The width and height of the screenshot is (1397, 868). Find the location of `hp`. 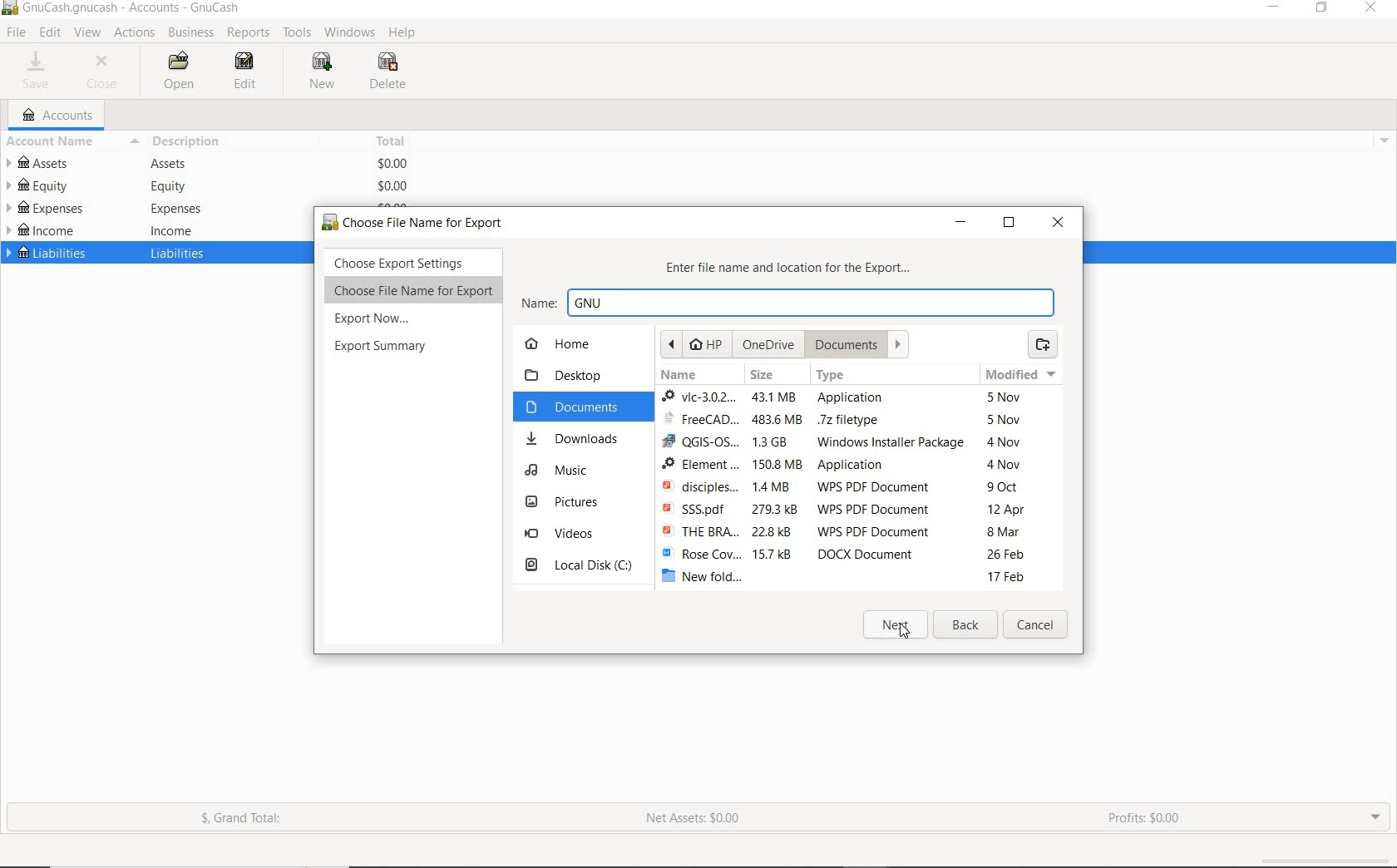

hp is located at coordinates (695, 344).